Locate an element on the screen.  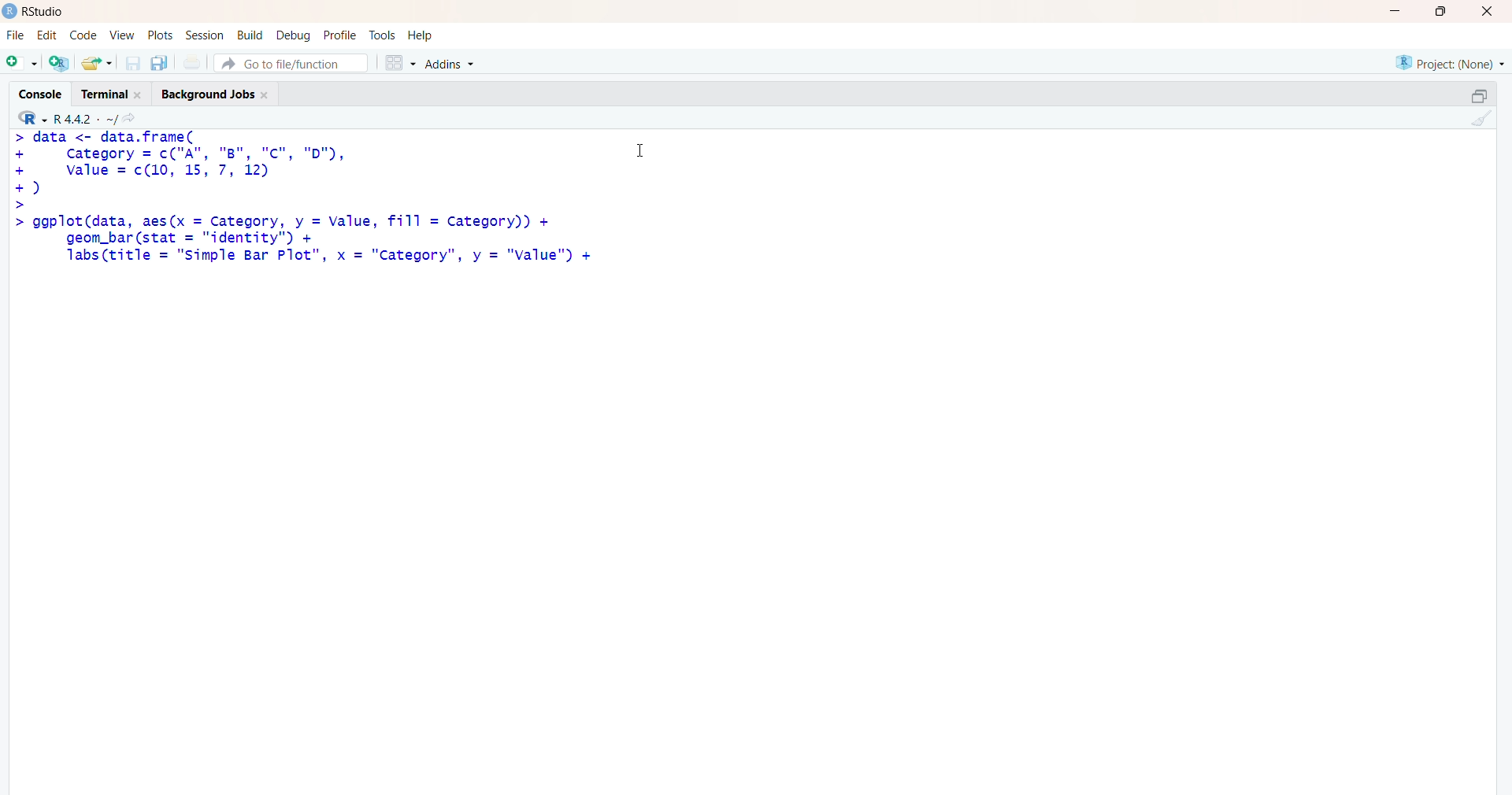
code is located at coordinates (83, 35).